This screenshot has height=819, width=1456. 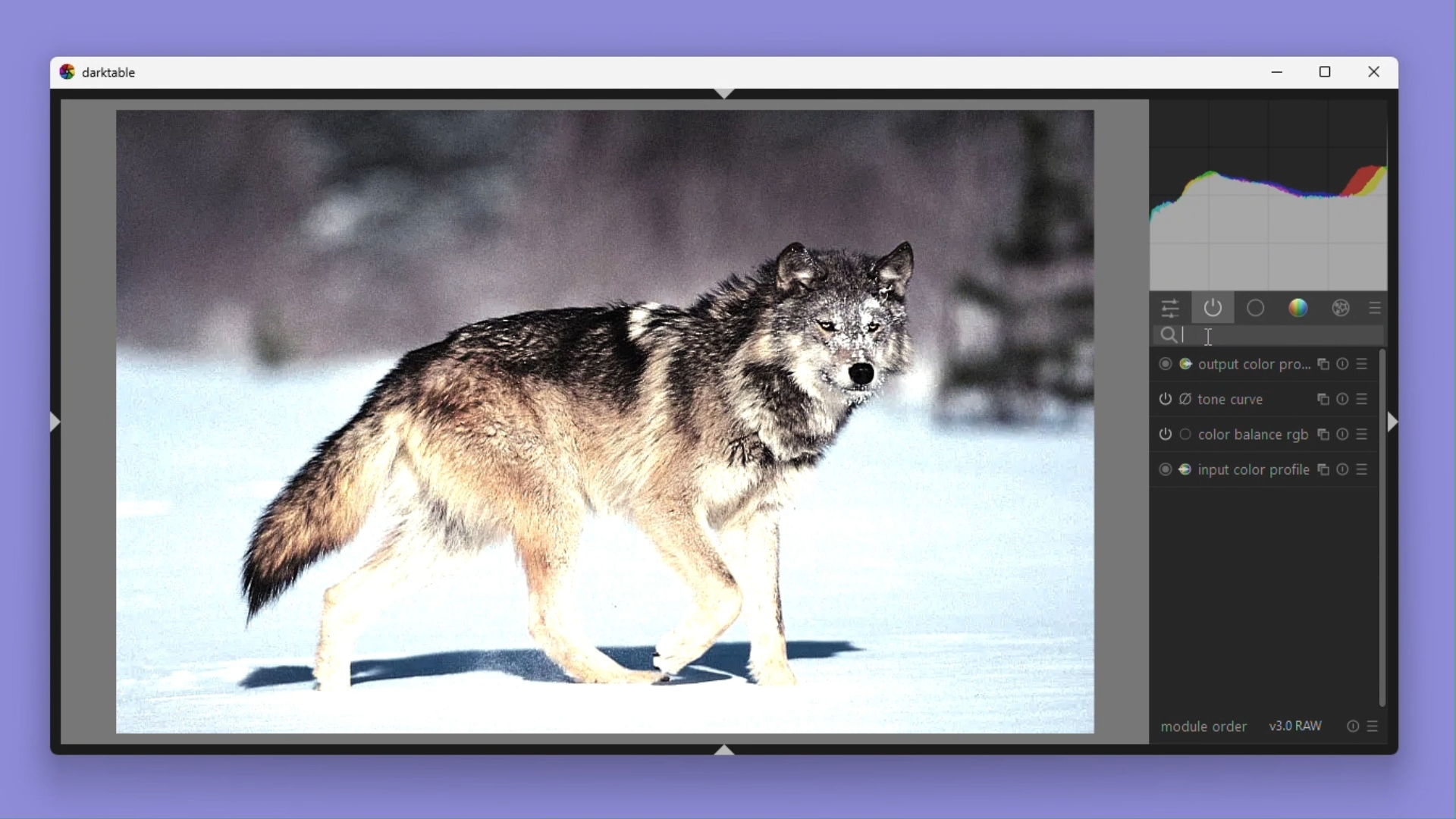 I want to click on Close , so click(x=1379, y=71).